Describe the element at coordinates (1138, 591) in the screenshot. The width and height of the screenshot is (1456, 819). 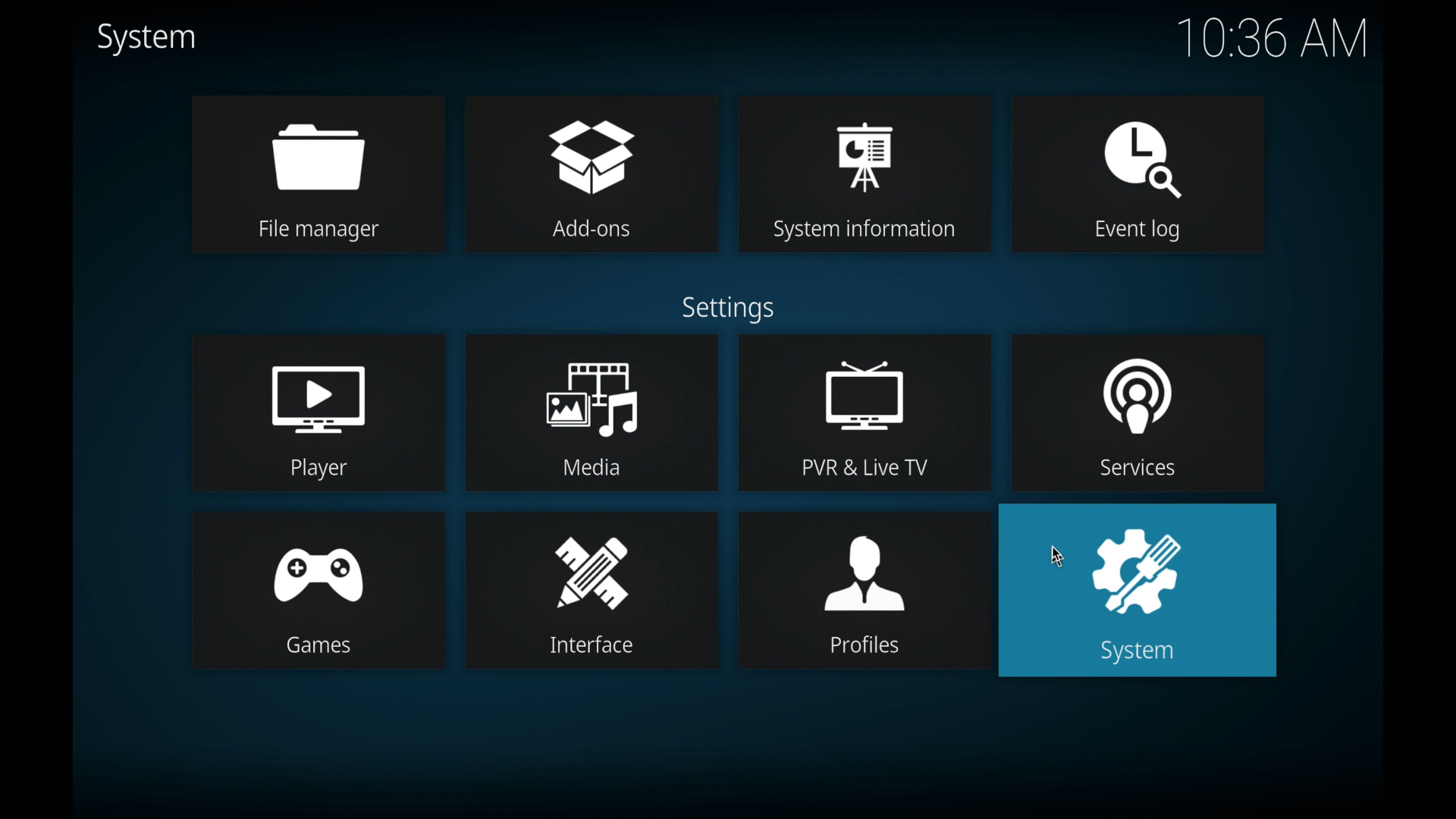
I see `system` at that location.